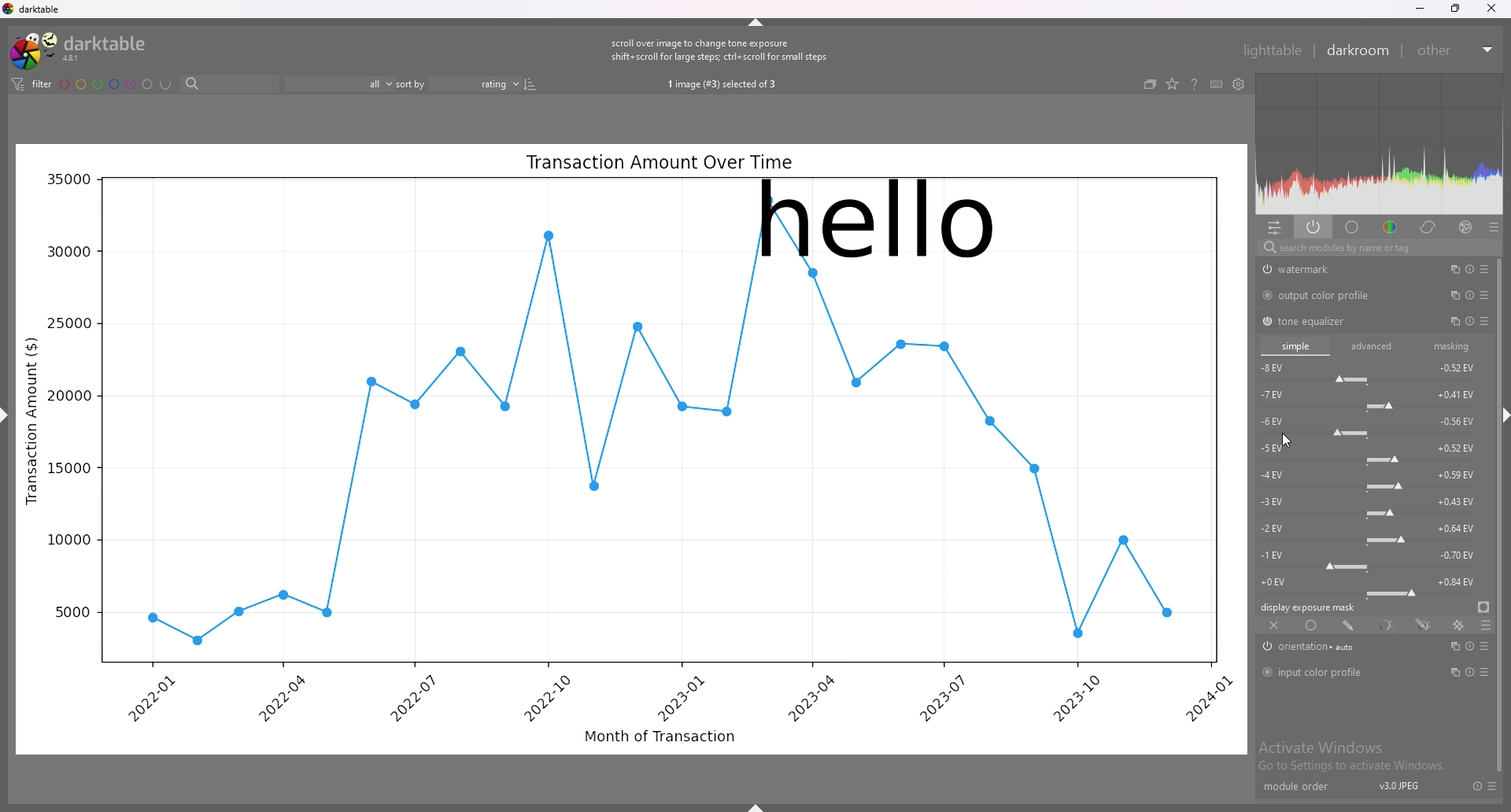 The height and width of the screenshot is (812, 1511). Describe the element at coordinates (1273, 50) in the screenshot. I see `lighttable` at that location.